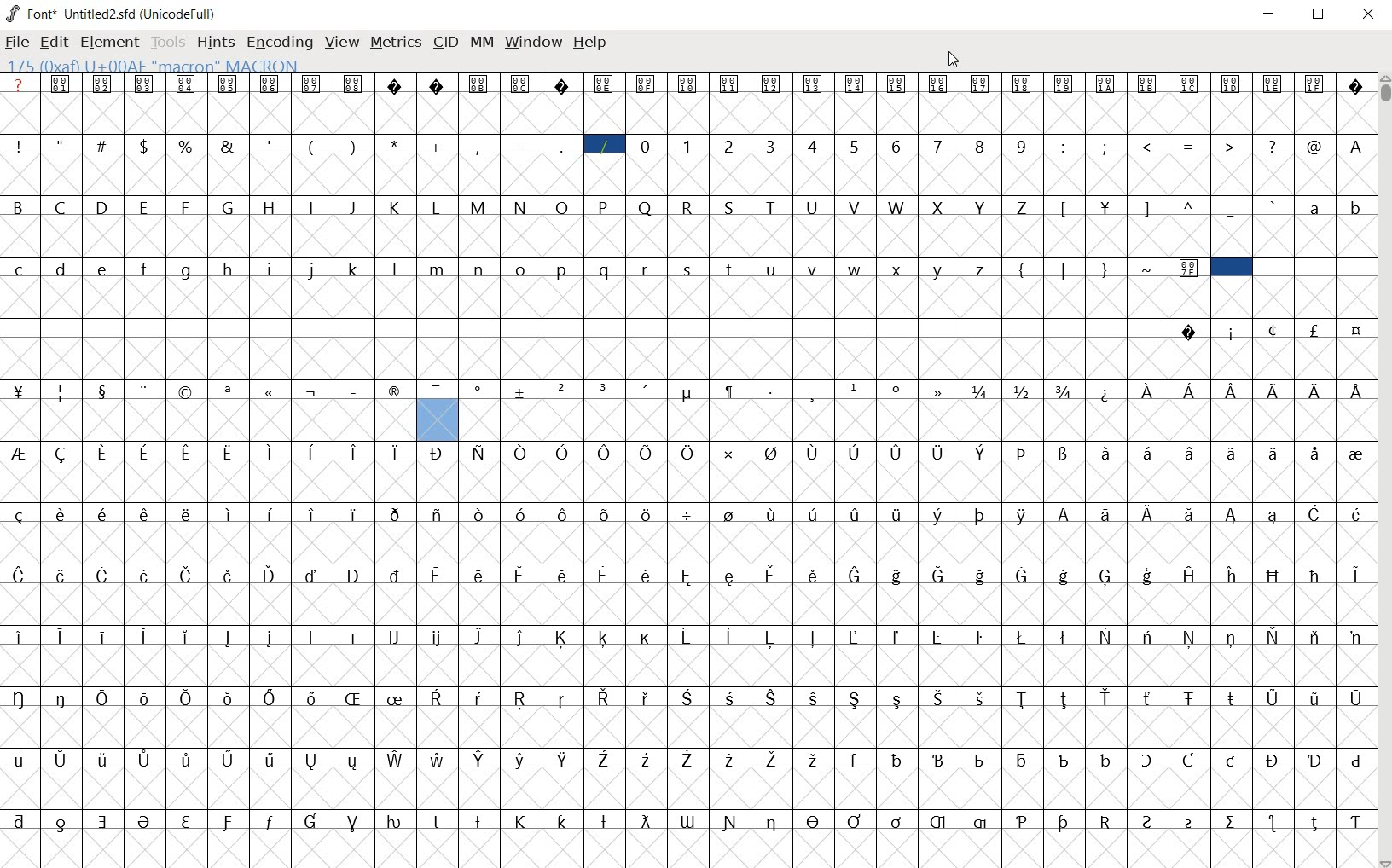  I want to click on Symbol, so click(1064, 512).